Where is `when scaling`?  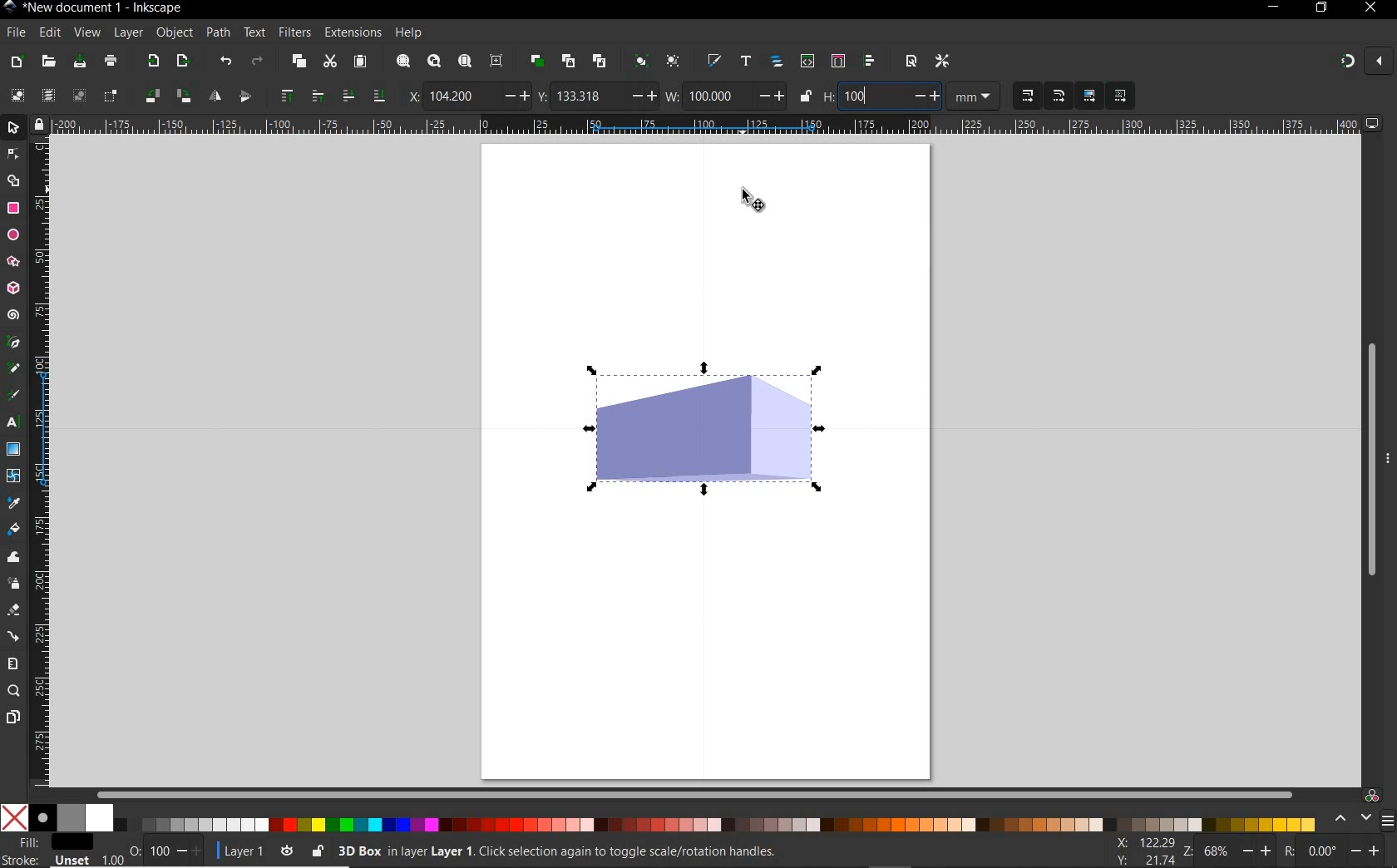
when scaling is located at coordinates (1027, 96).